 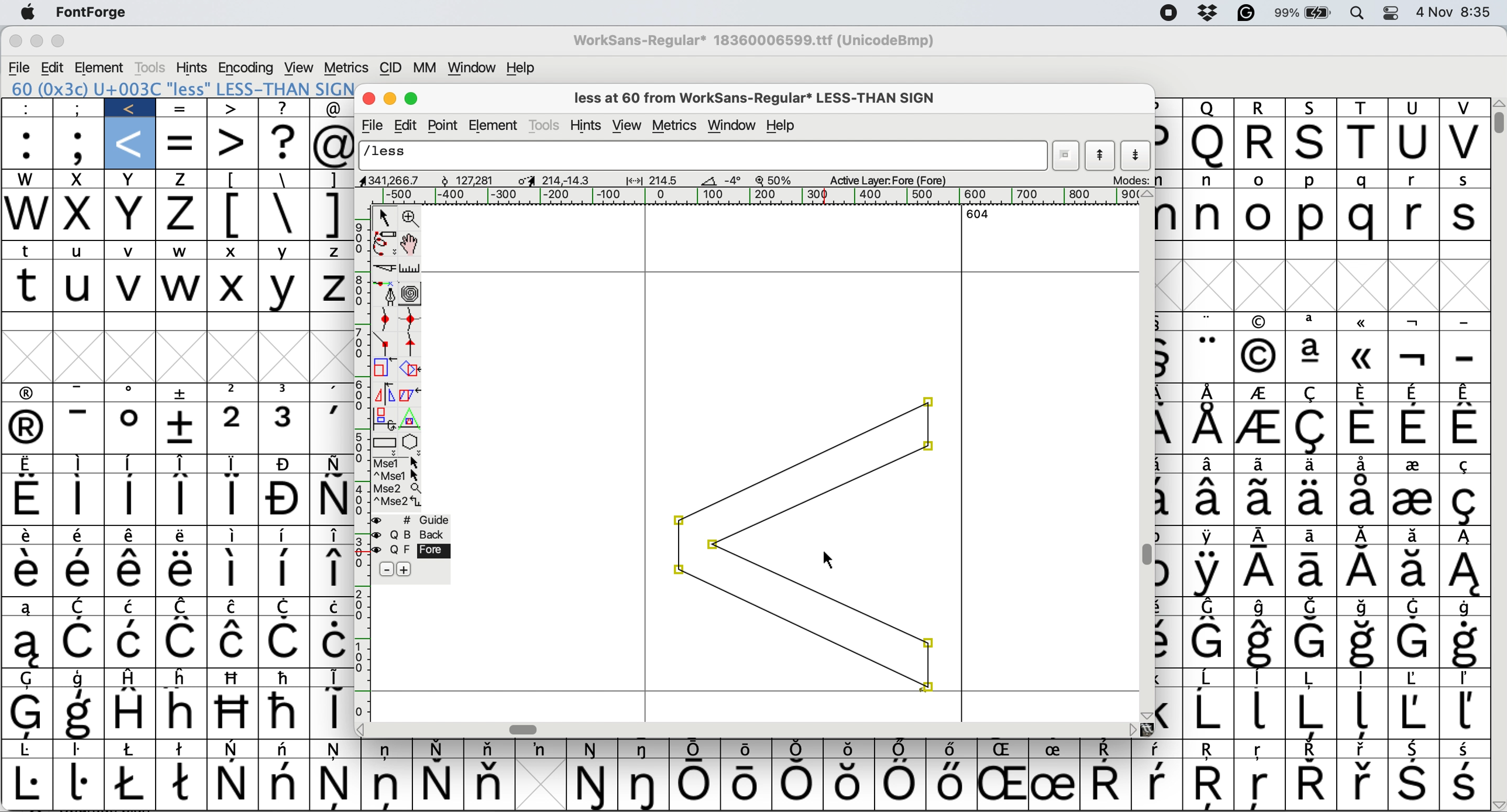 What do you see at coordinates (1413, 142) in the screenshot?
I see `u` at bounding box center [1413, 142].